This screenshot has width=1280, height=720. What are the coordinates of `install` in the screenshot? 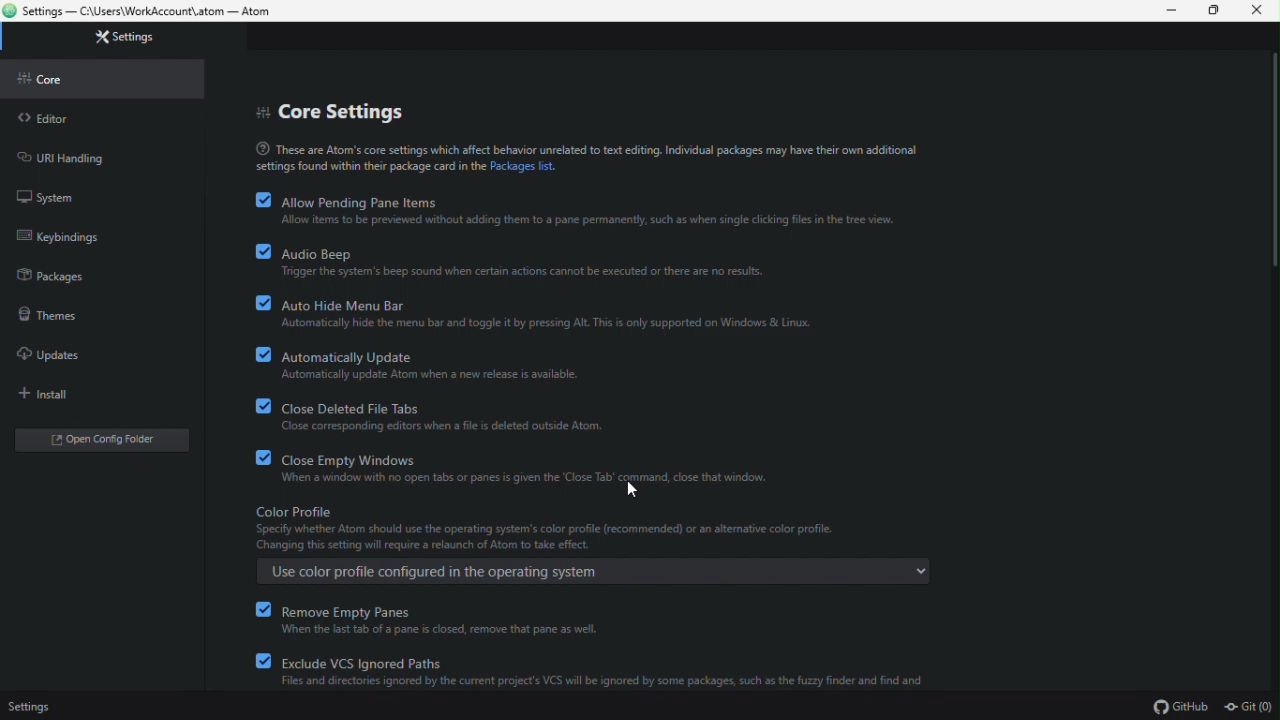 It's located at (51, 394).